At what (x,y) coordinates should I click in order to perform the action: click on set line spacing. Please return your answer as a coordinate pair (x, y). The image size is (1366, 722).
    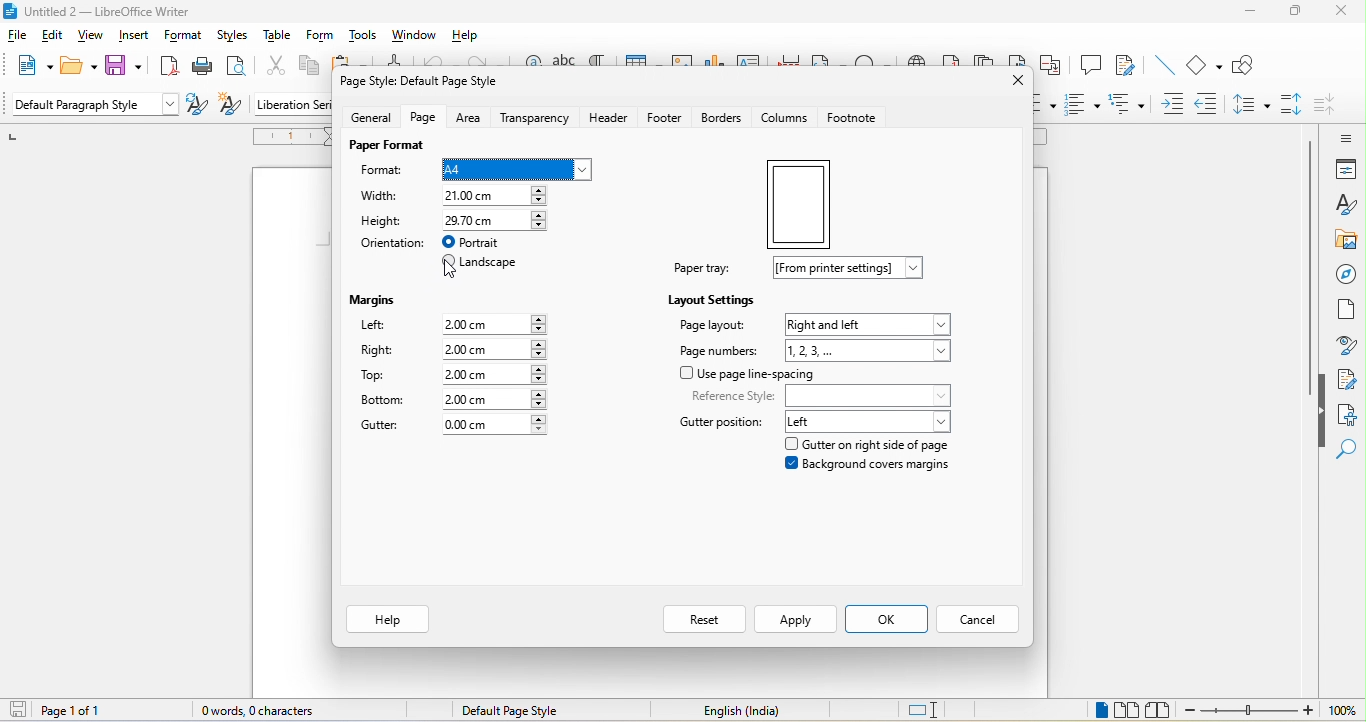
    Looking at the image, I should click on (1250, 107).